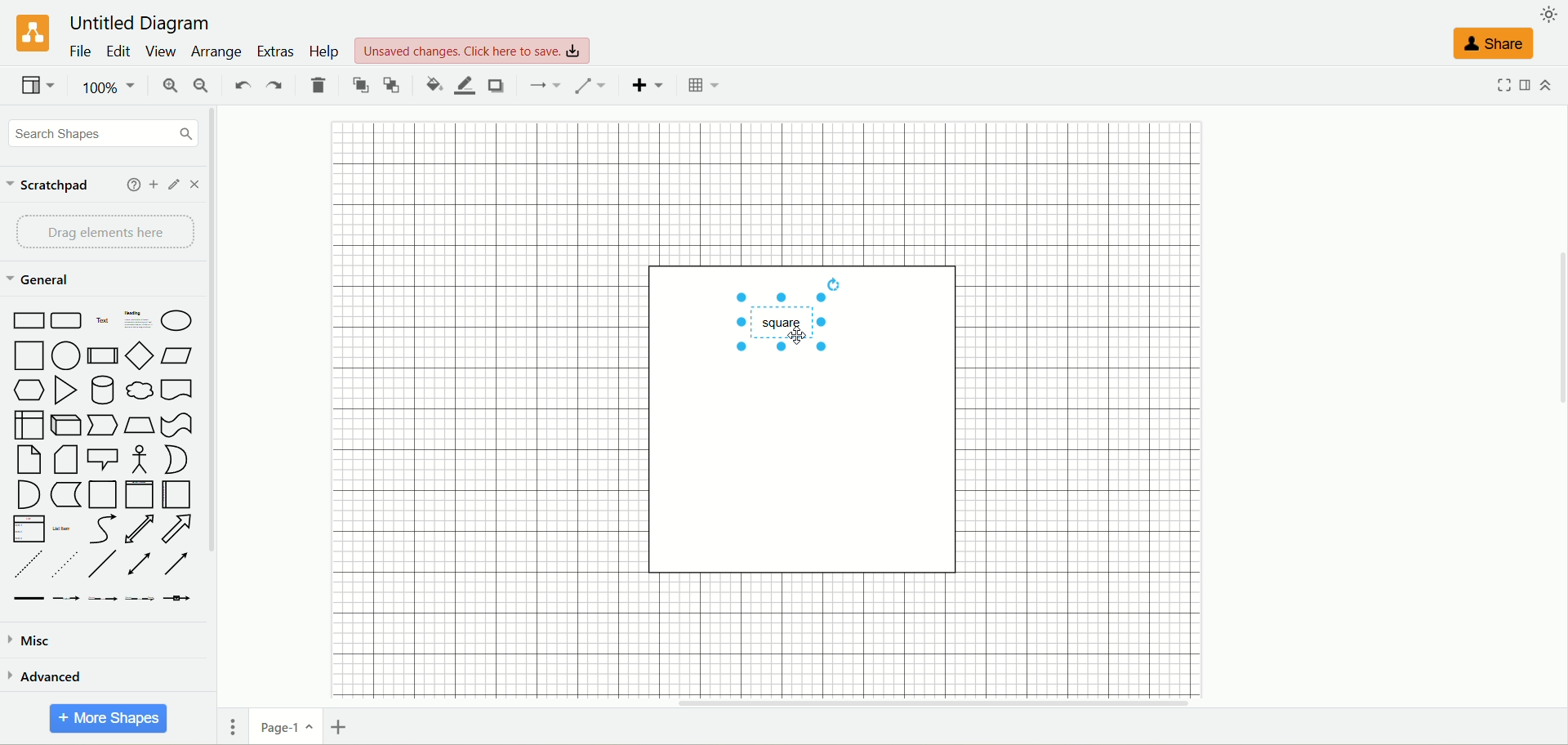  Describe the element at coordinates (168, 85) in the screenshot. I see `zoom in` at that location.